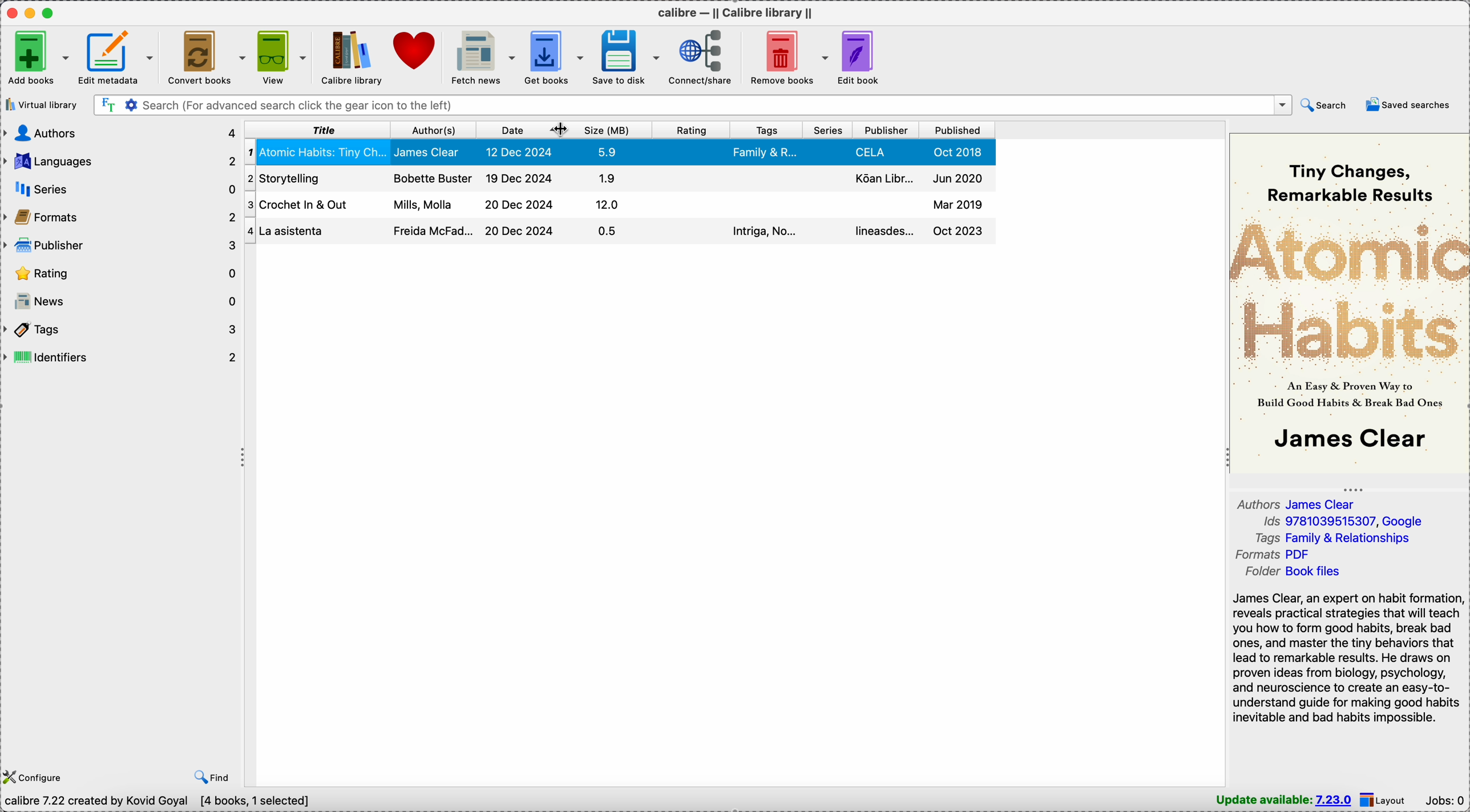 This screenshot has width=1470, height=812. What do you see at coordinates (1407, 104) in the screenshot?
I see `saved searches` at bounding box center [1407, 104].